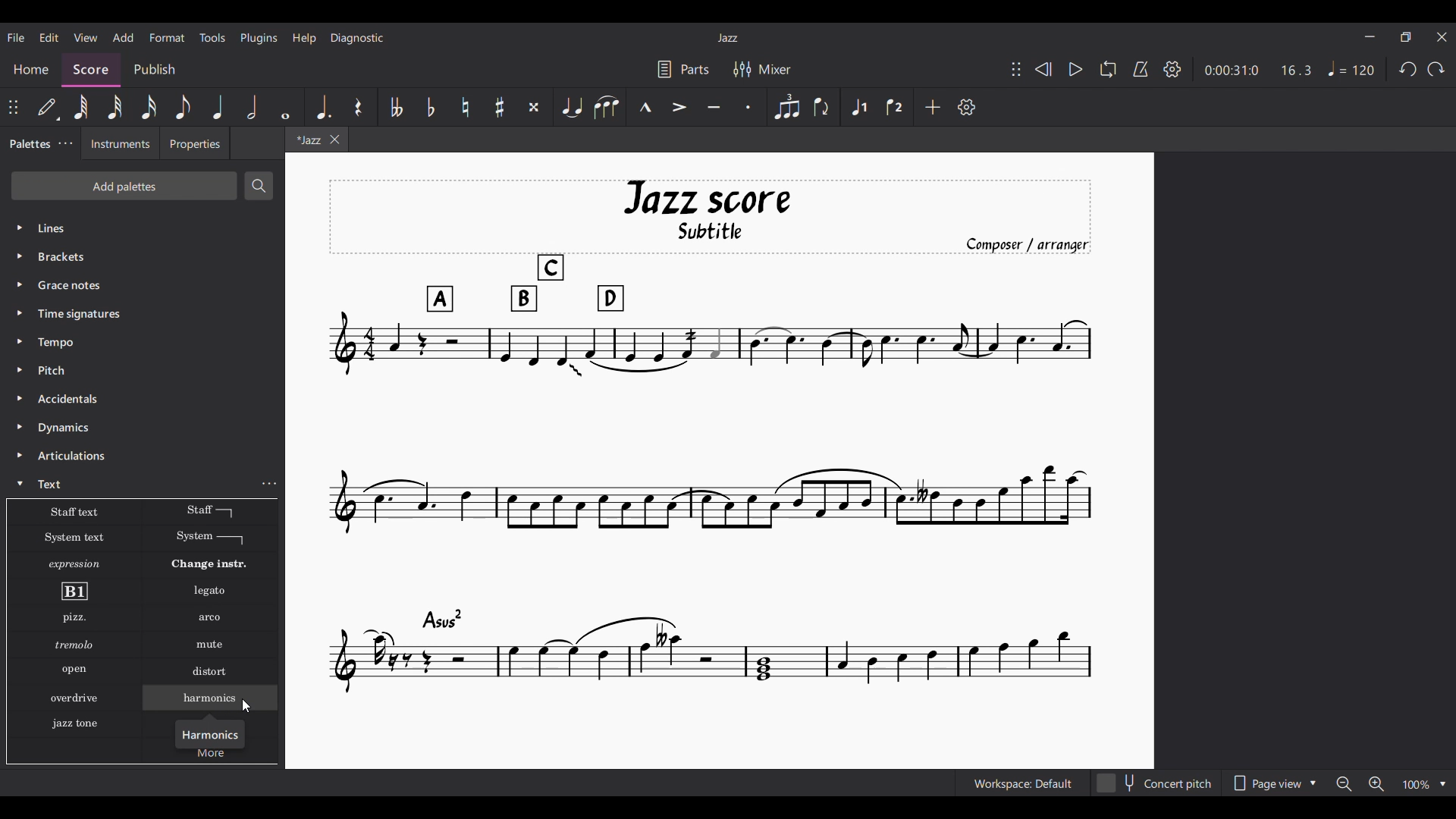 The height and width of the screenshot is (819, 1456). What do you see at coordinates (395, 107) in the screenshot?
I see `Toggle double flat` at bounding box center [395, 107].